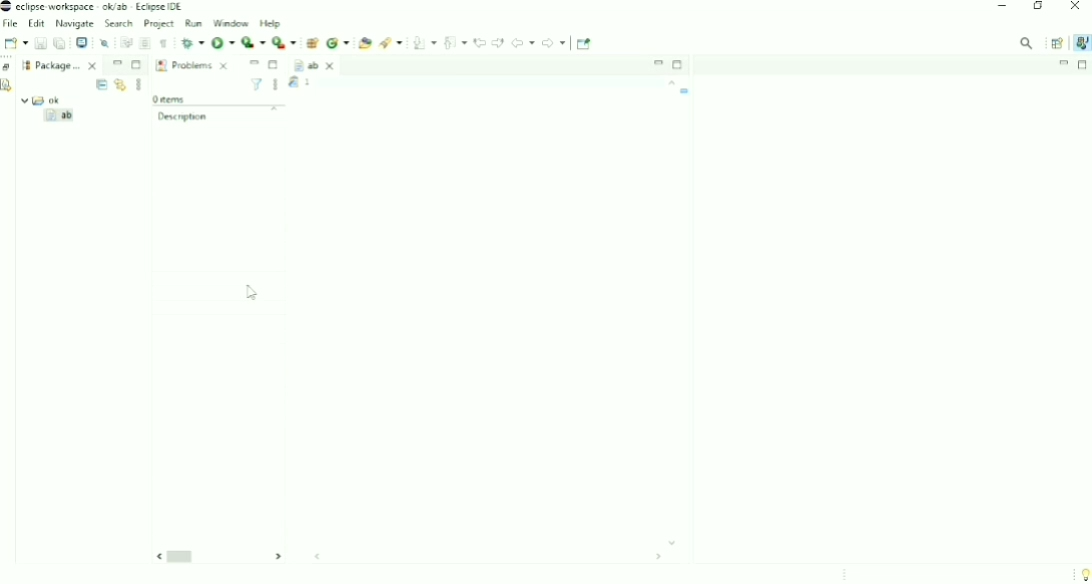  I want to click on Minimize, so click(657, 62).